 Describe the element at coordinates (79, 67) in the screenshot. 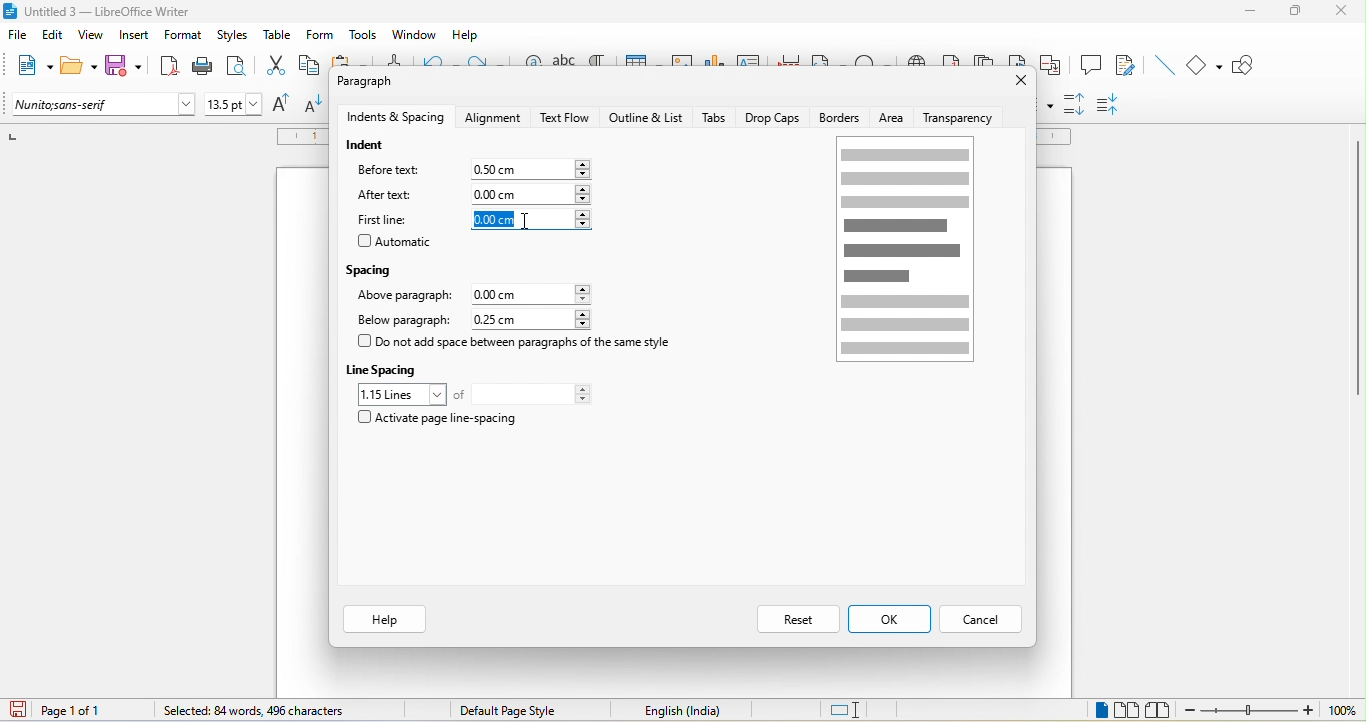

I see `open` at that location.